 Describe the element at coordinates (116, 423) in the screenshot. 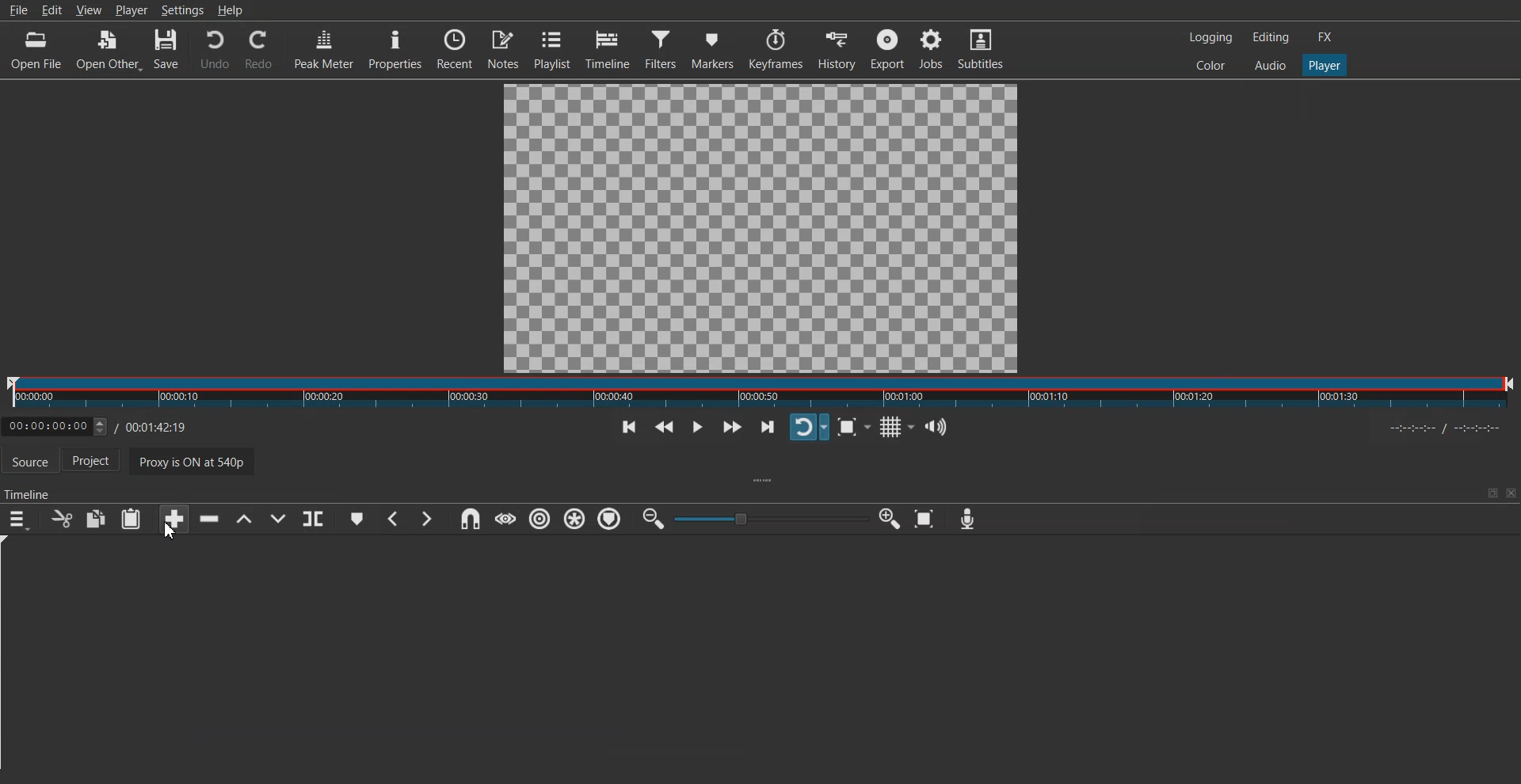

I see `Timeline` at that location.